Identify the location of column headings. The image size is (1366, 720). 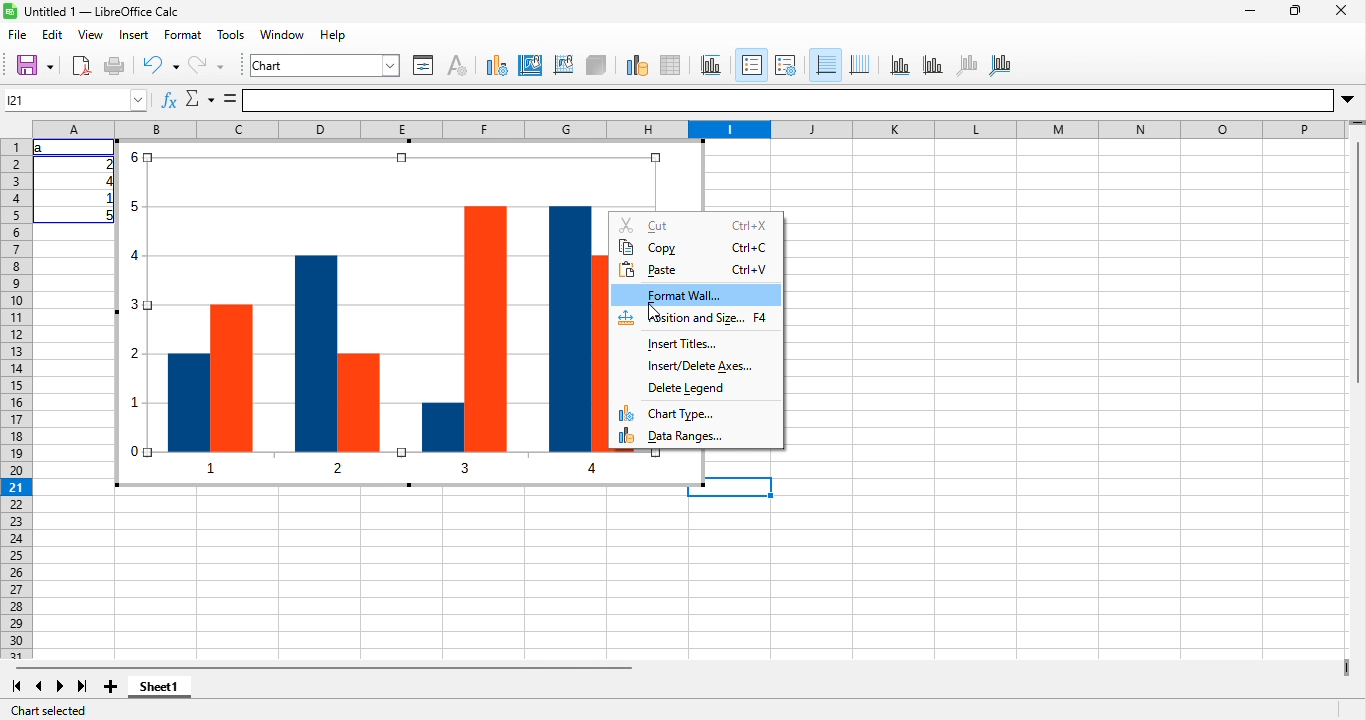
(691, 129).